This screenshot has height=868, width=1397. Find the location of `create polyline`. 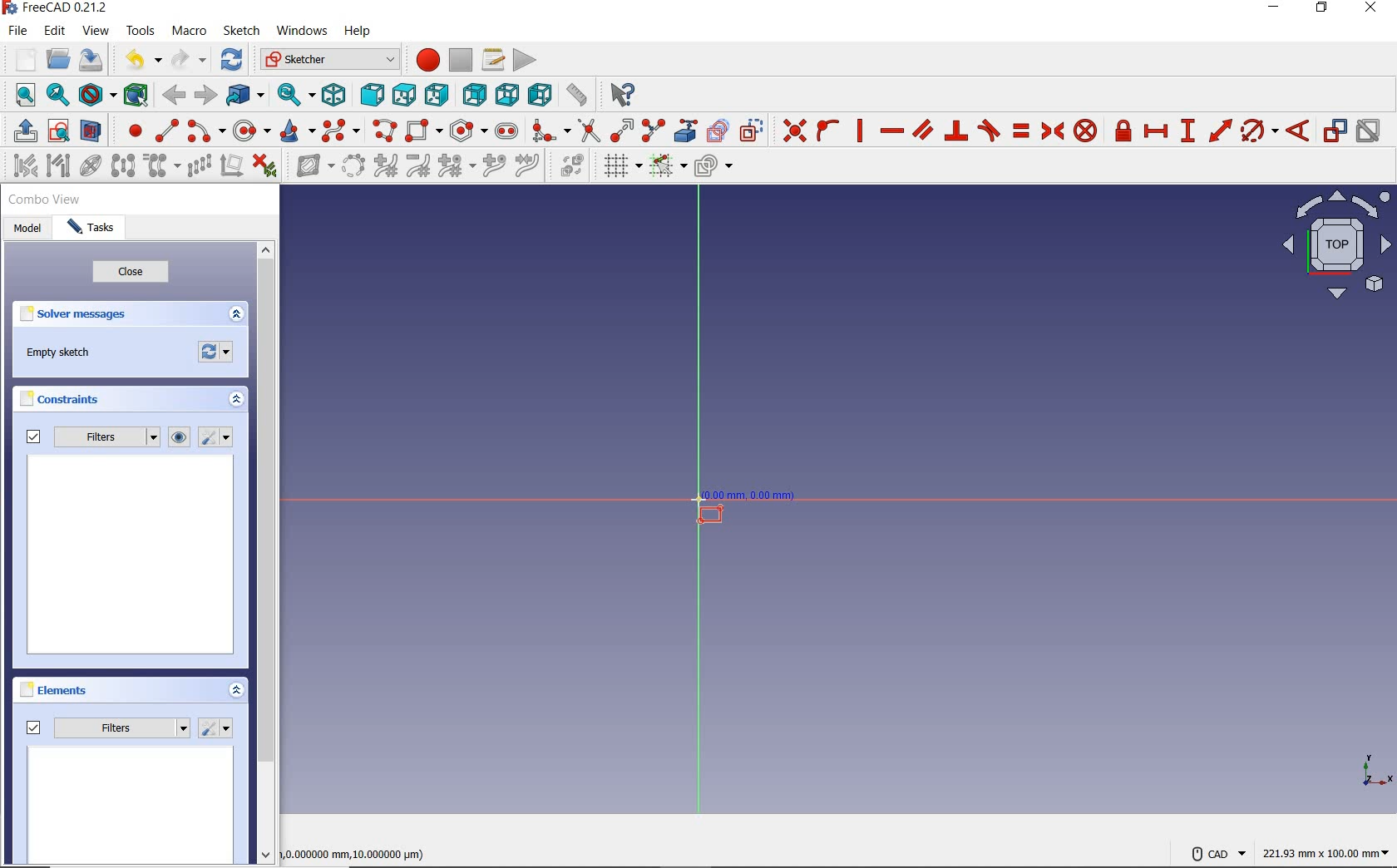

create polyline is located at coordinates (385, 132).